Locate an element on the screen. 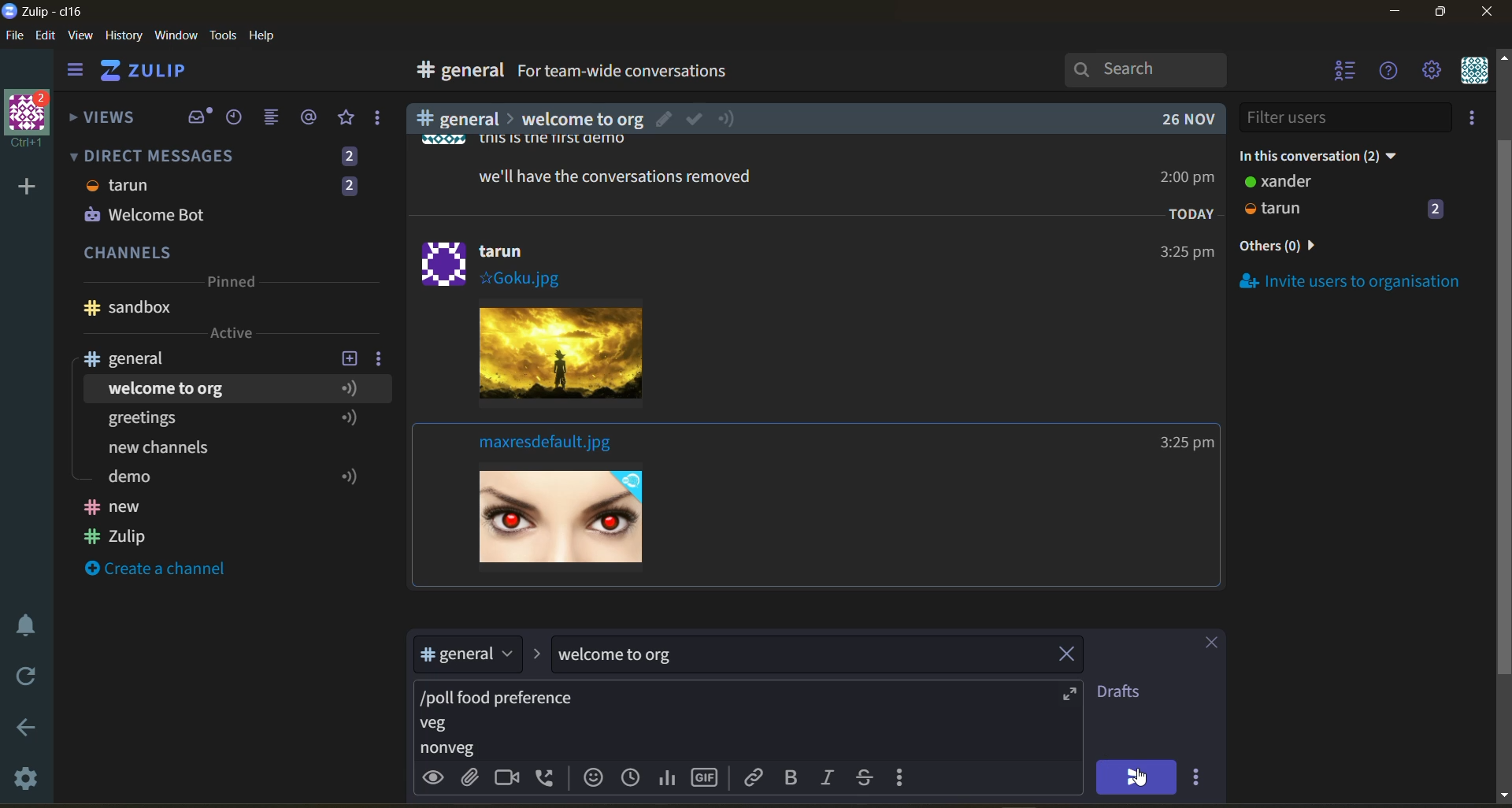  remove topic is located at coordinates (1068, 654).